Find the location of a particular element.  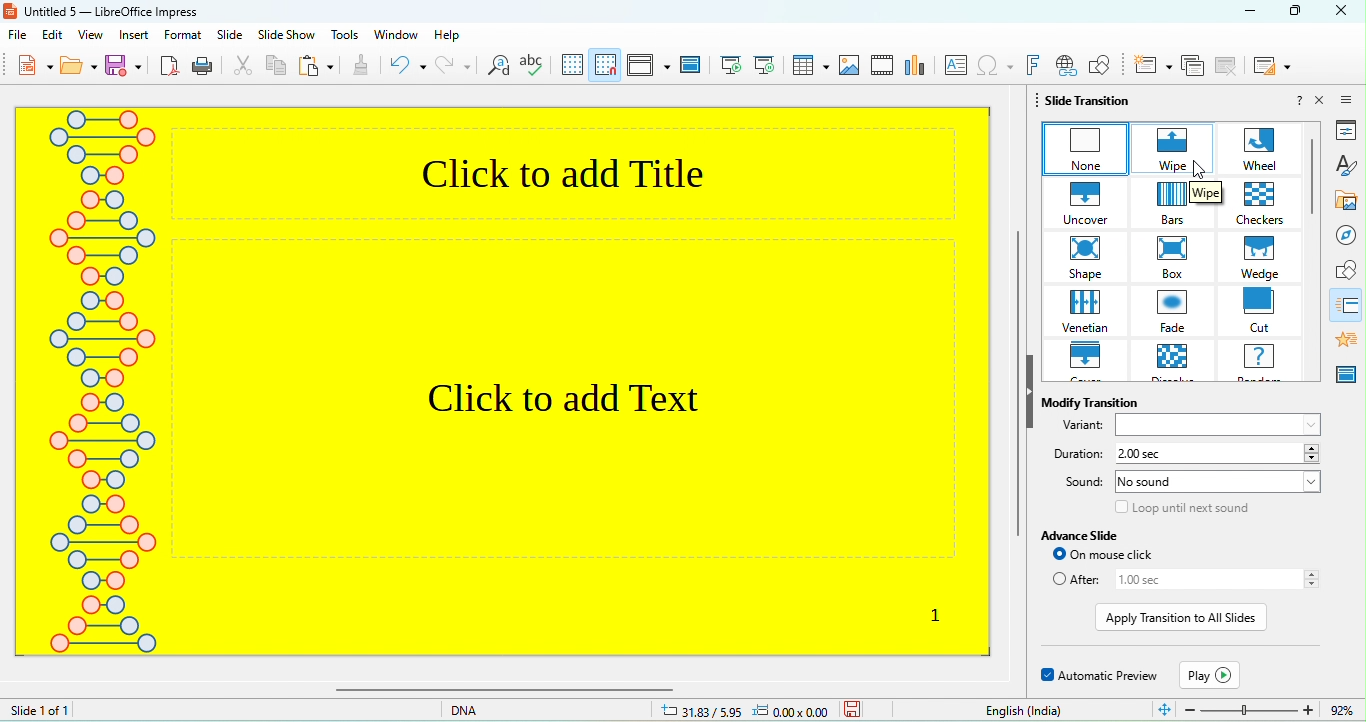

uncover is located at coordinates (1087, 201).